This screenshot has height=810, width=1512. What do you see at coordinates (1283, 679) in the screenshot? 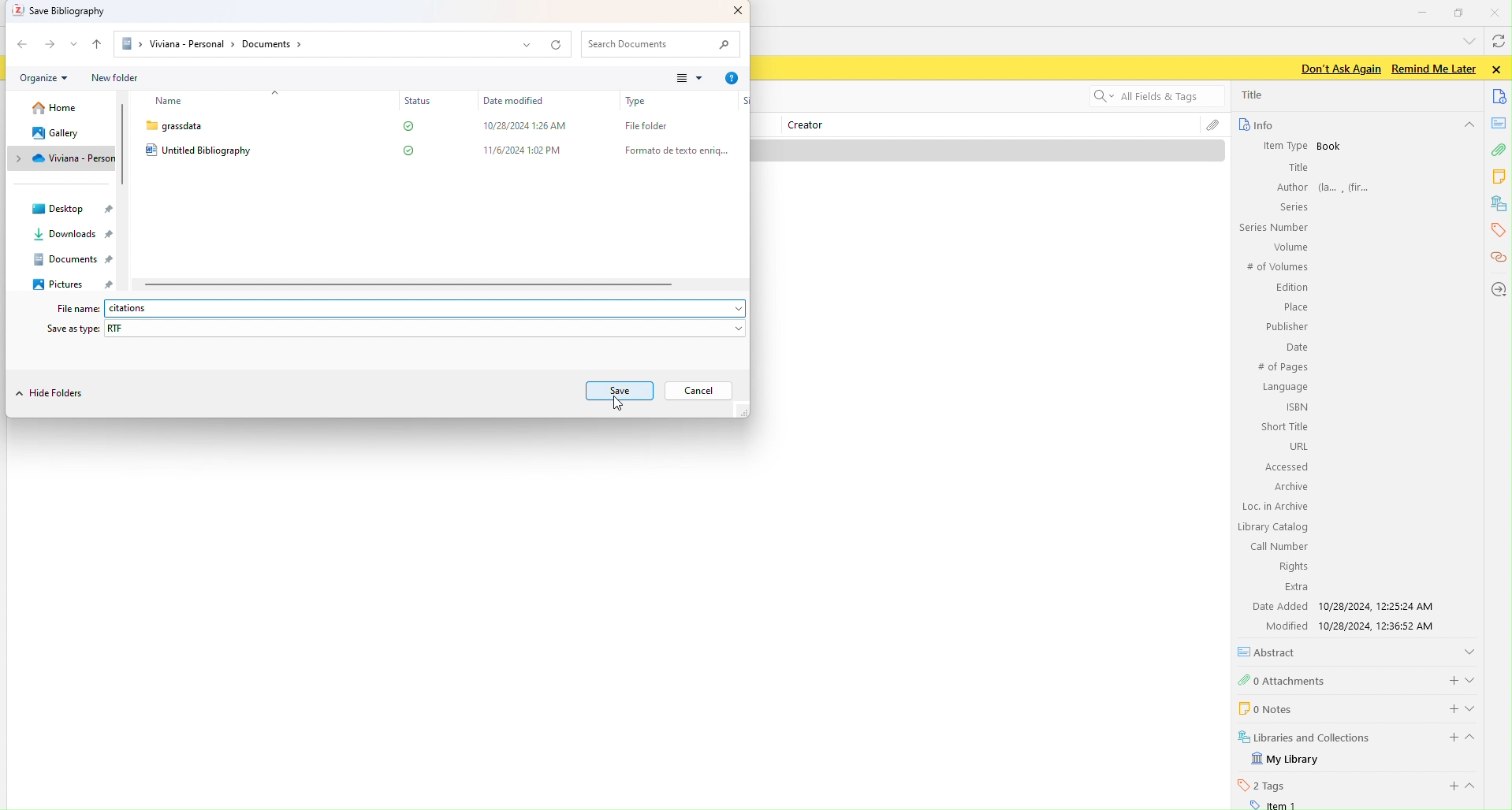
I see `0 Attachments` at bounding box center [1283, 679].